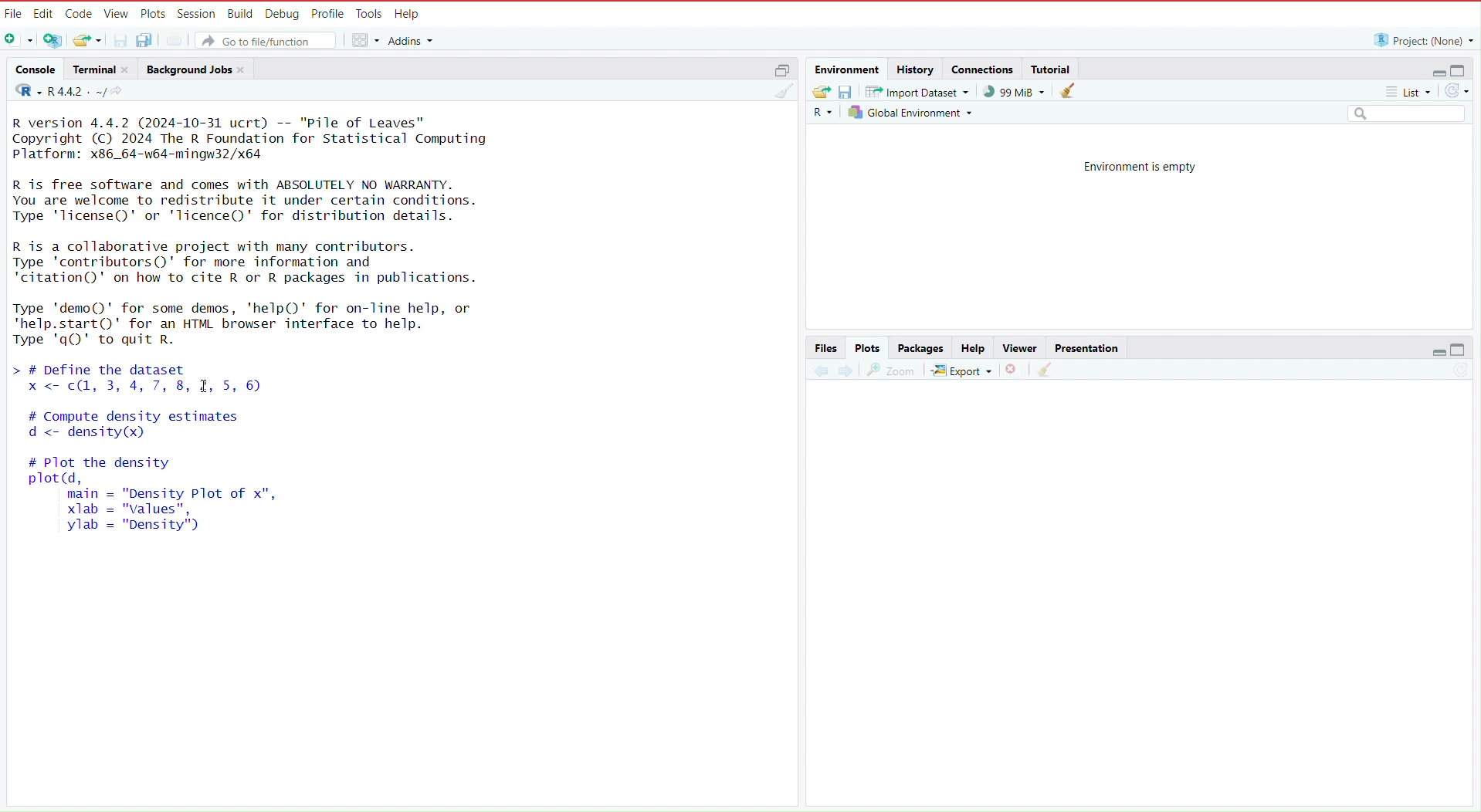  I want to click on project: (None), so click(1422, 40).